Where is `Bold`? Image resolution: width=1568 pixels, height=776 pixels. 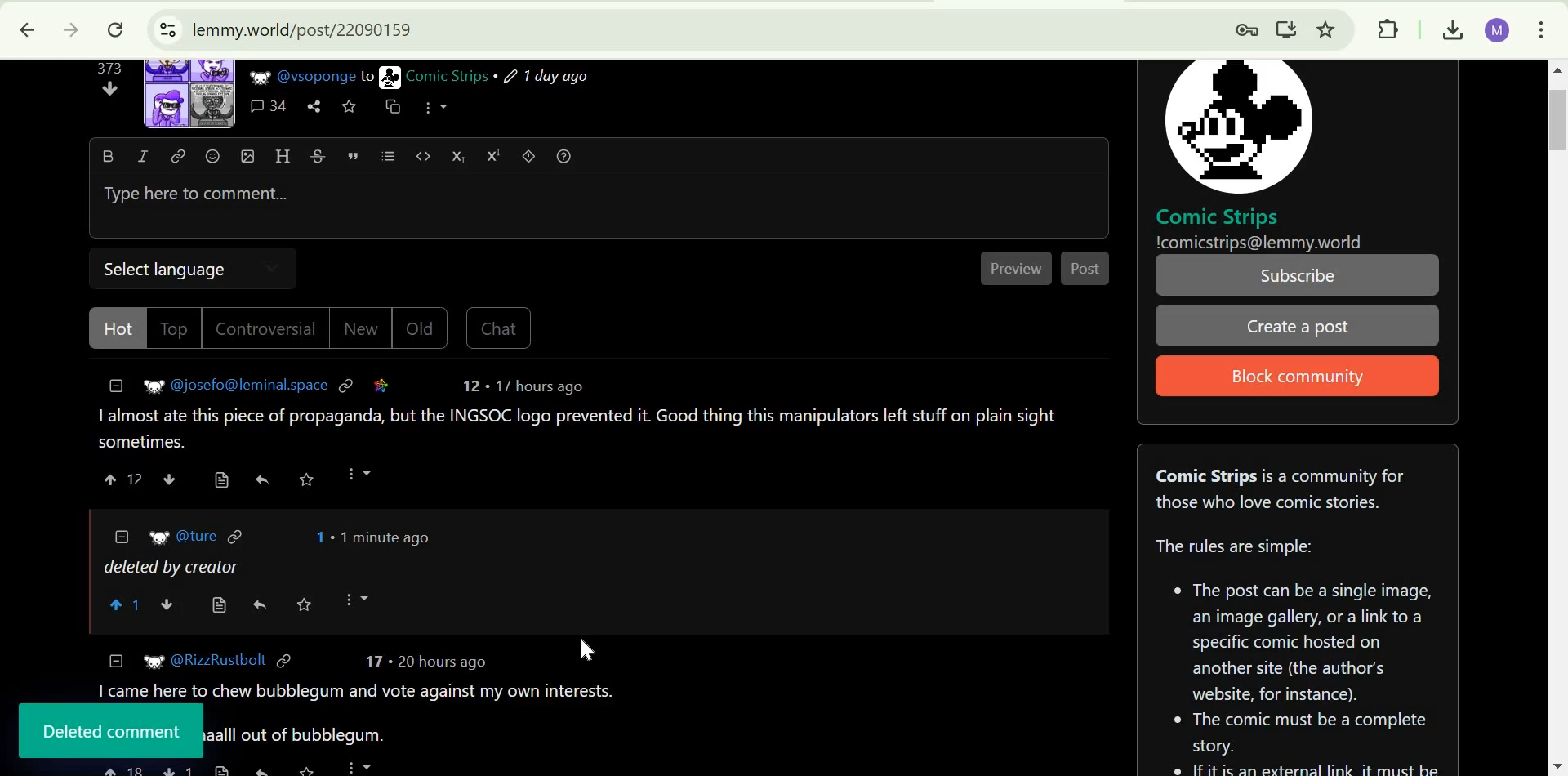
Bold is located at coordinates (107, 155).